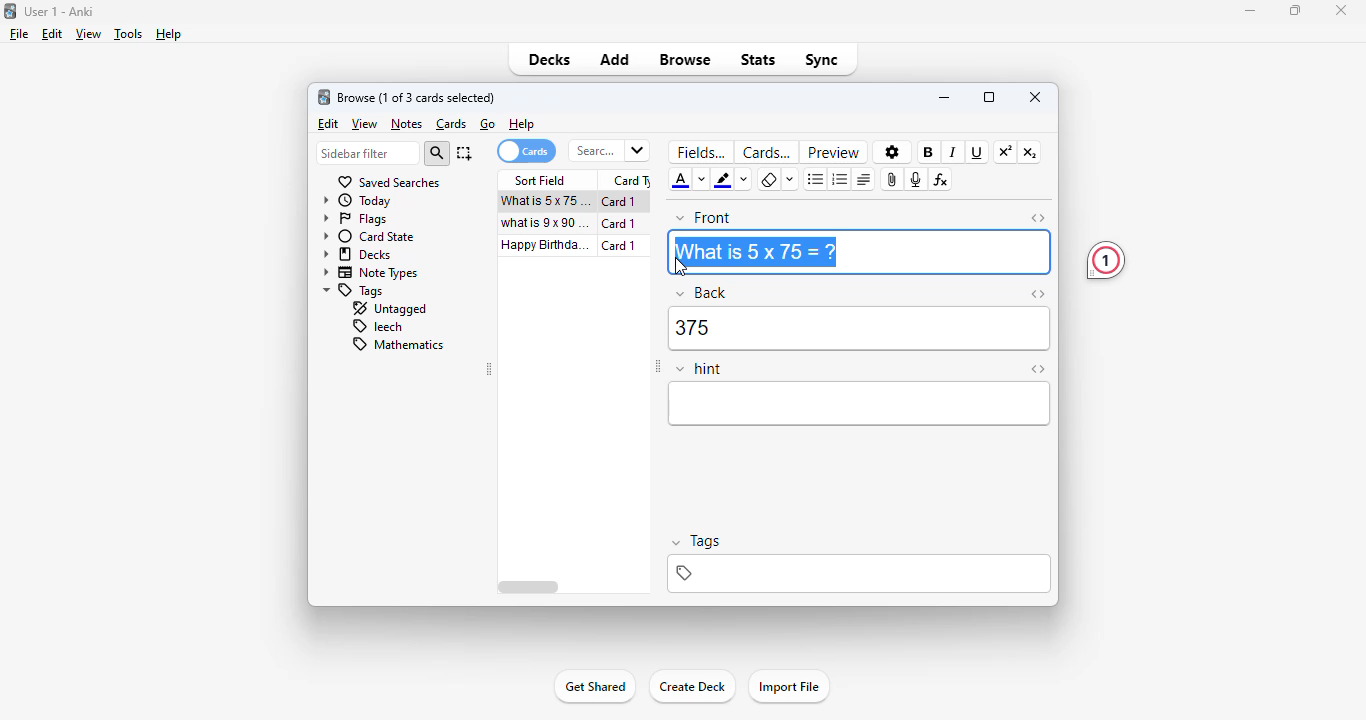 This screenshot has width=1366, height=720. What do you see at coordinates (20, 34) in the screenshot?
I see `file` at bounding box center [20, 34].